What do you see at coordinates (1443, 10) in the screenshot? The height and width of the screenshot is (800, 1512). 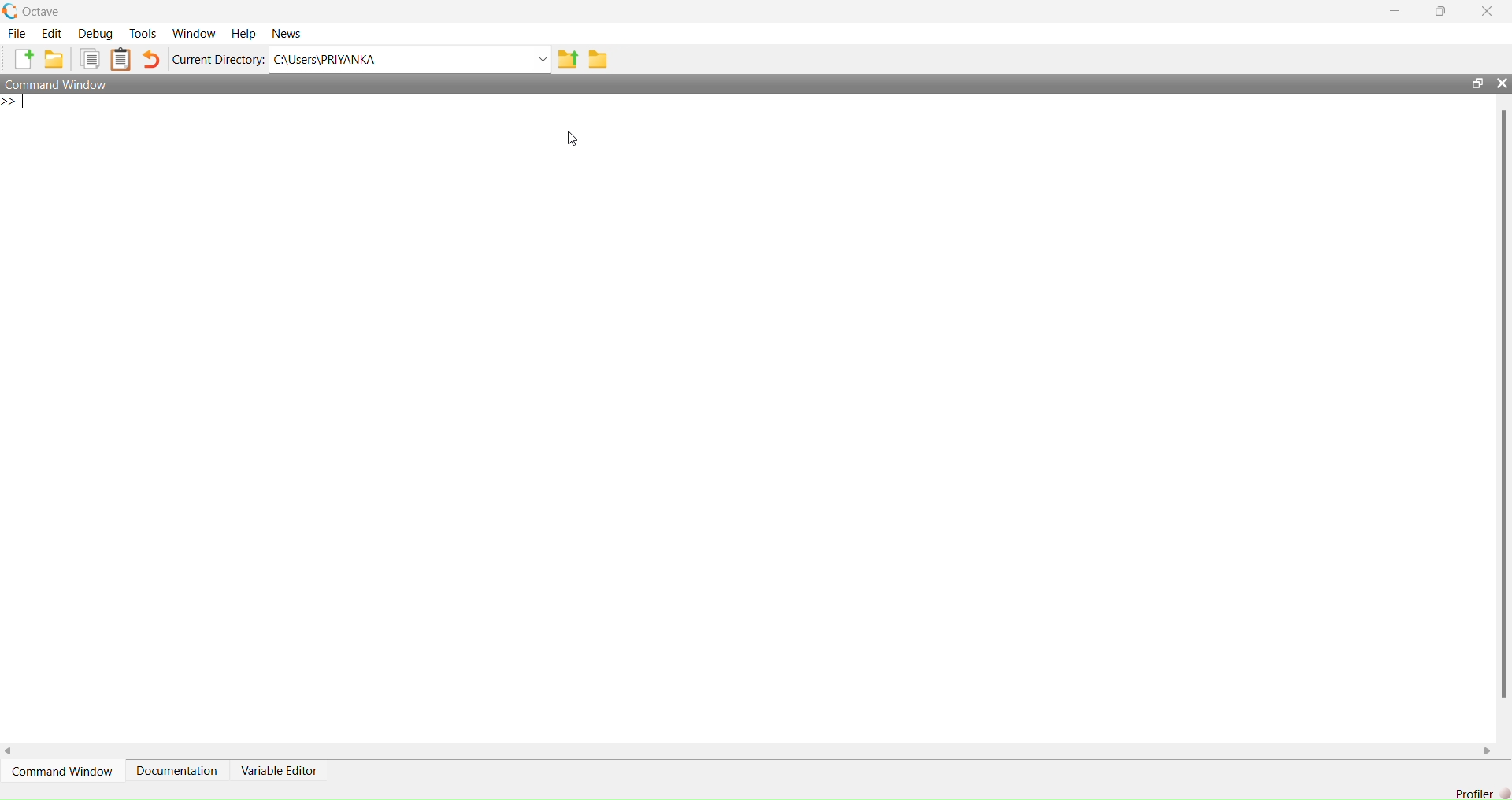 I see `maximise` at bounding box center [1443, 10].